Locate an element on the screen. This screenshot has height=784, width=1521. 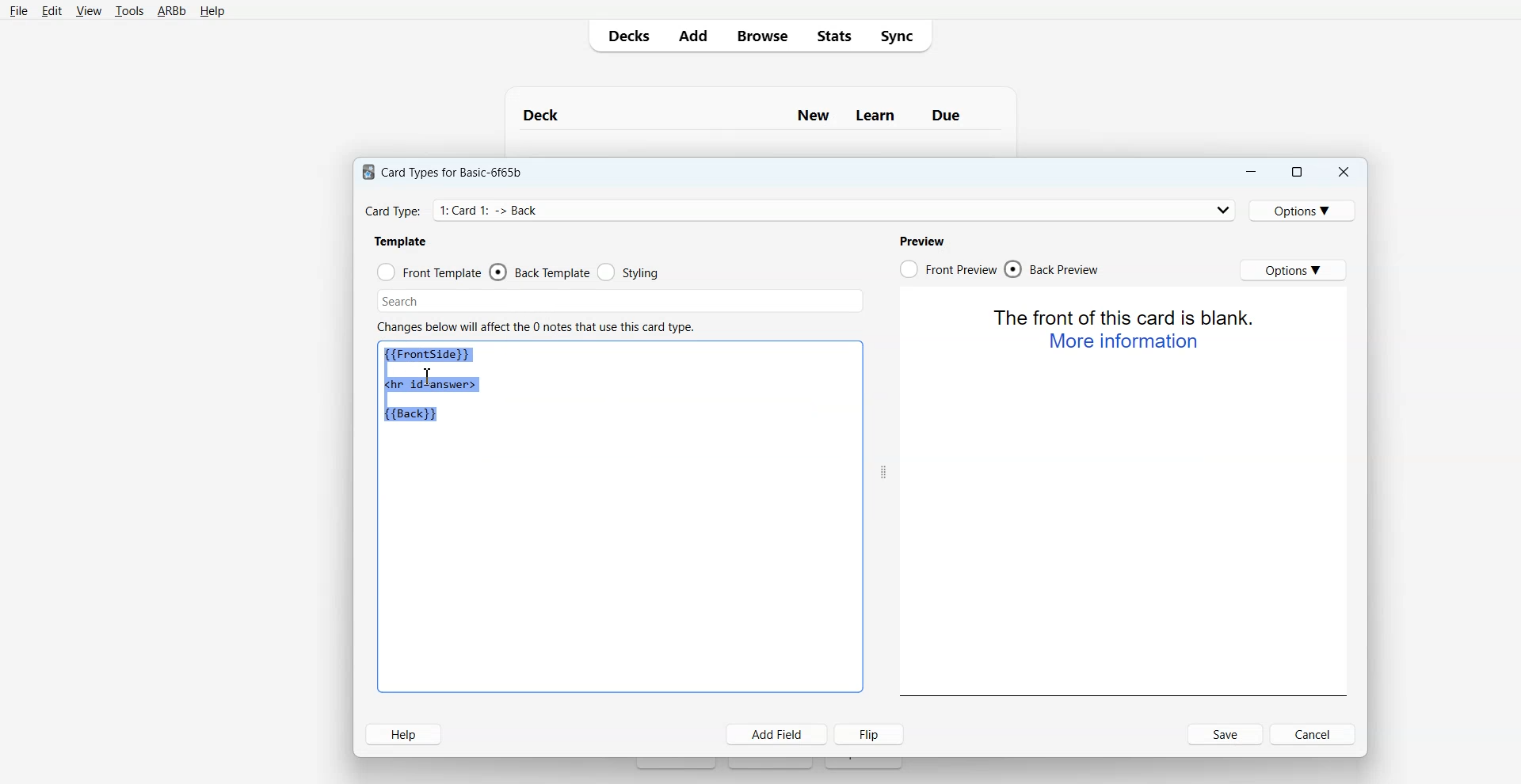
Text Cursor is located at coordinates (427, 377).